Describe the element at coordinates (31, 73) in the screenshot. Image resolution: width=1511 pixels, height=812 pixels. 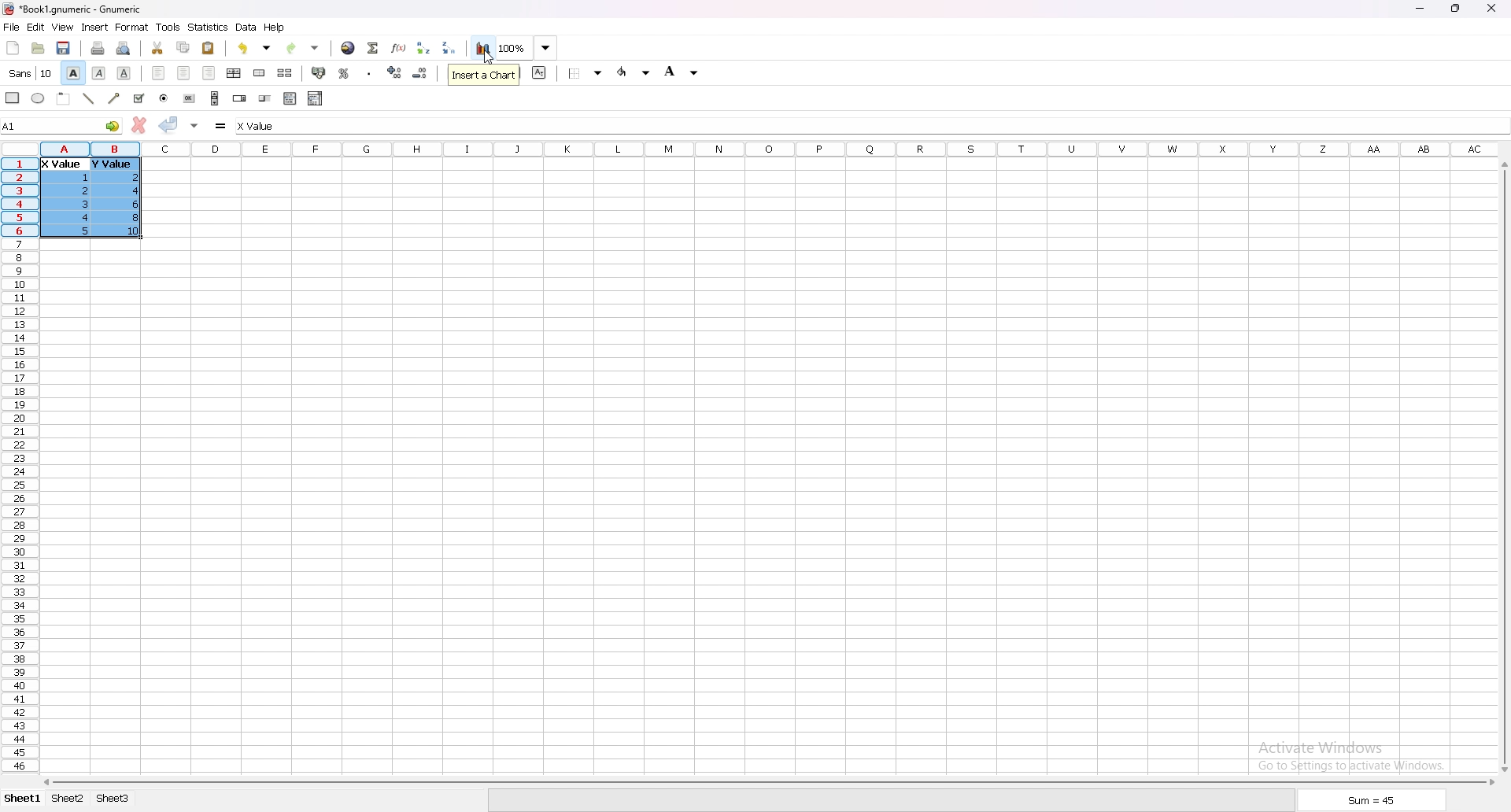
I see `font` at that location.